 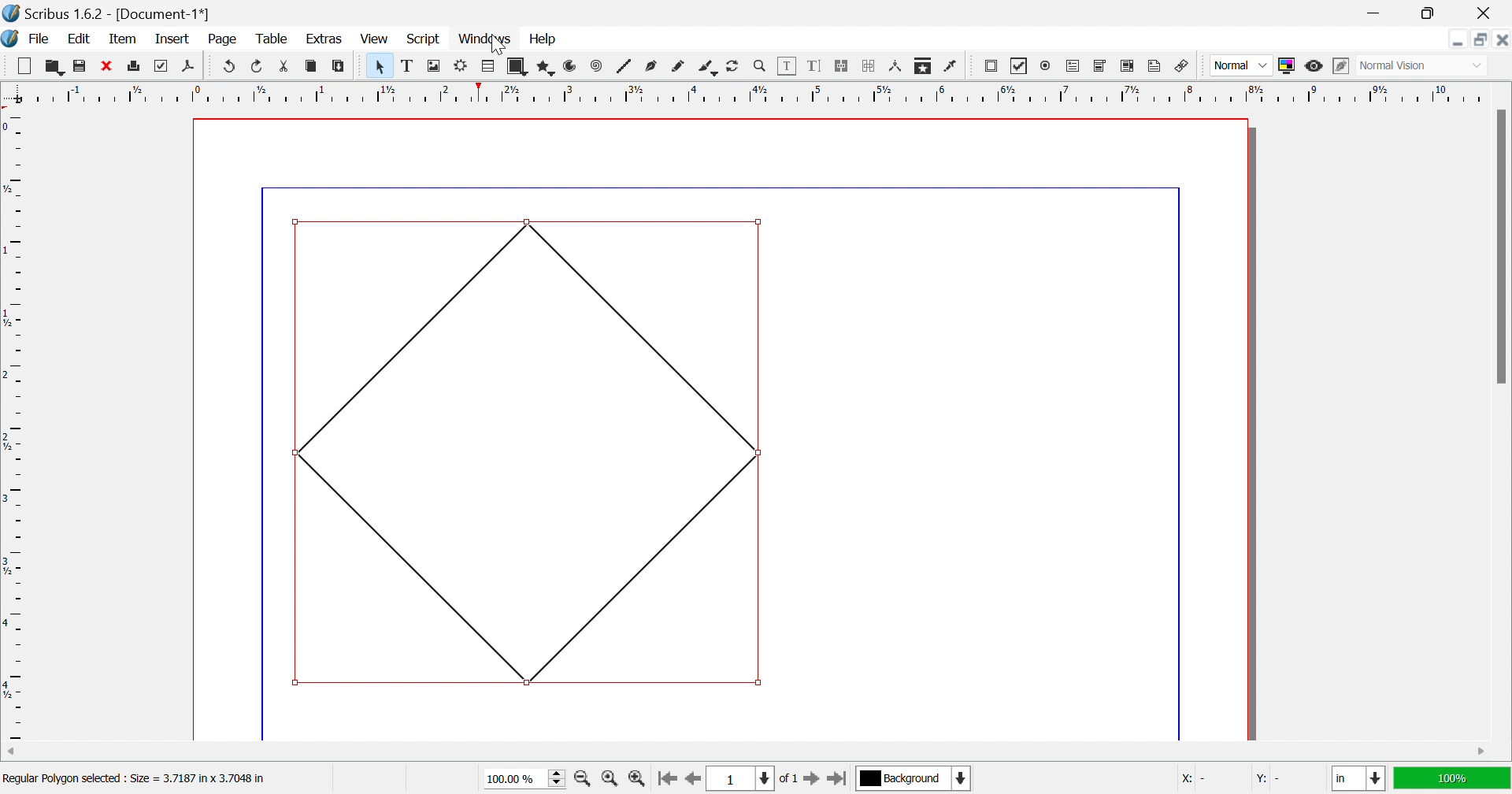 What do you see at coordinates (1154, 66) in the screenshot?
I see `Text annotation` at bounding box center [1154, 66].